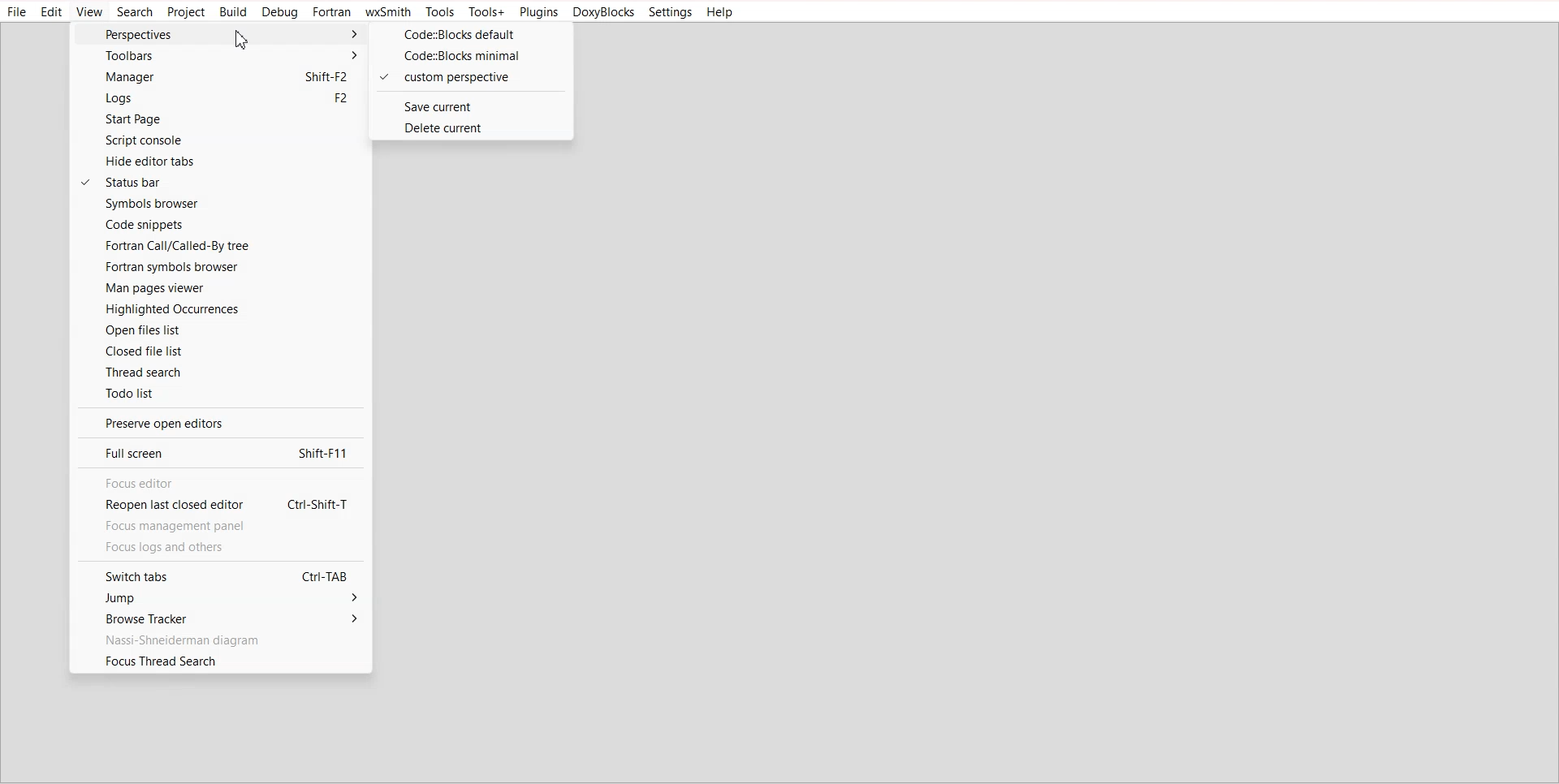  I want to click on Cursor, so click(243, 40).